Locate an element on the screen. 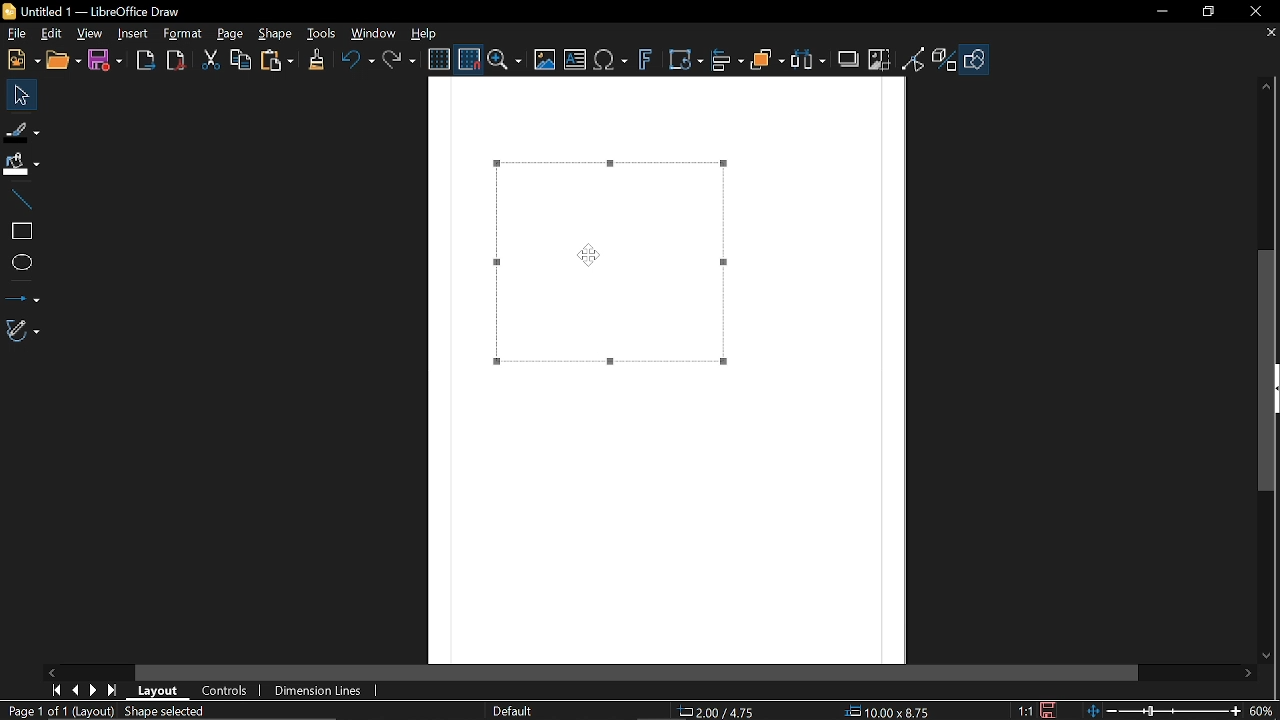  Size is located at coordinates (894, 712).